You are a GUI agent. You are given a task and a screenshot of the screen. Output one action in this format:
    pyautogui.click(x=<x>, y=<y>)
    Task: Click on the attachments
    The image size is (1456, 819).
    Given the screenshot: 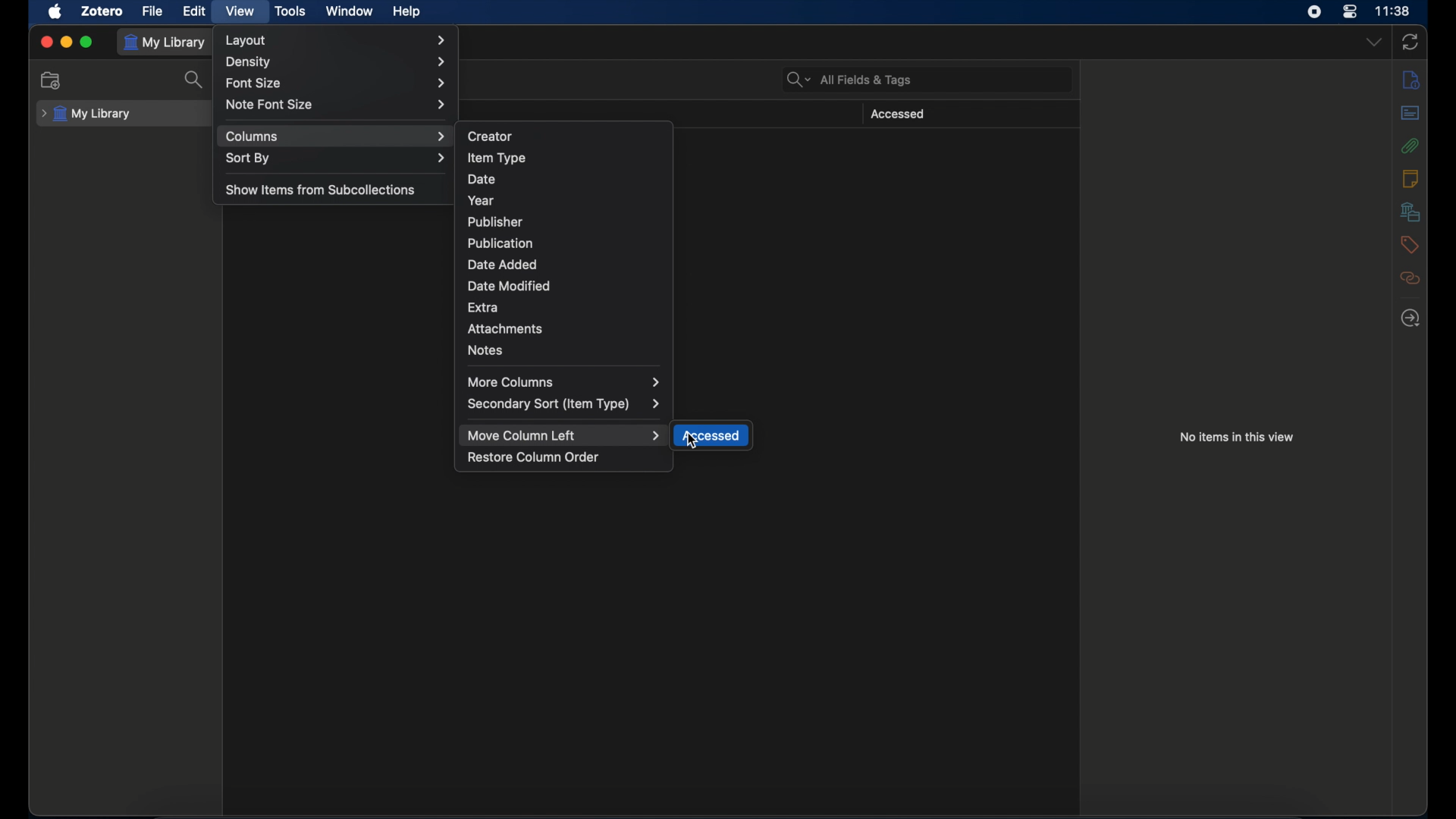 What is the action you would take?
    pyautogui.click(x=1410, y=146)
    